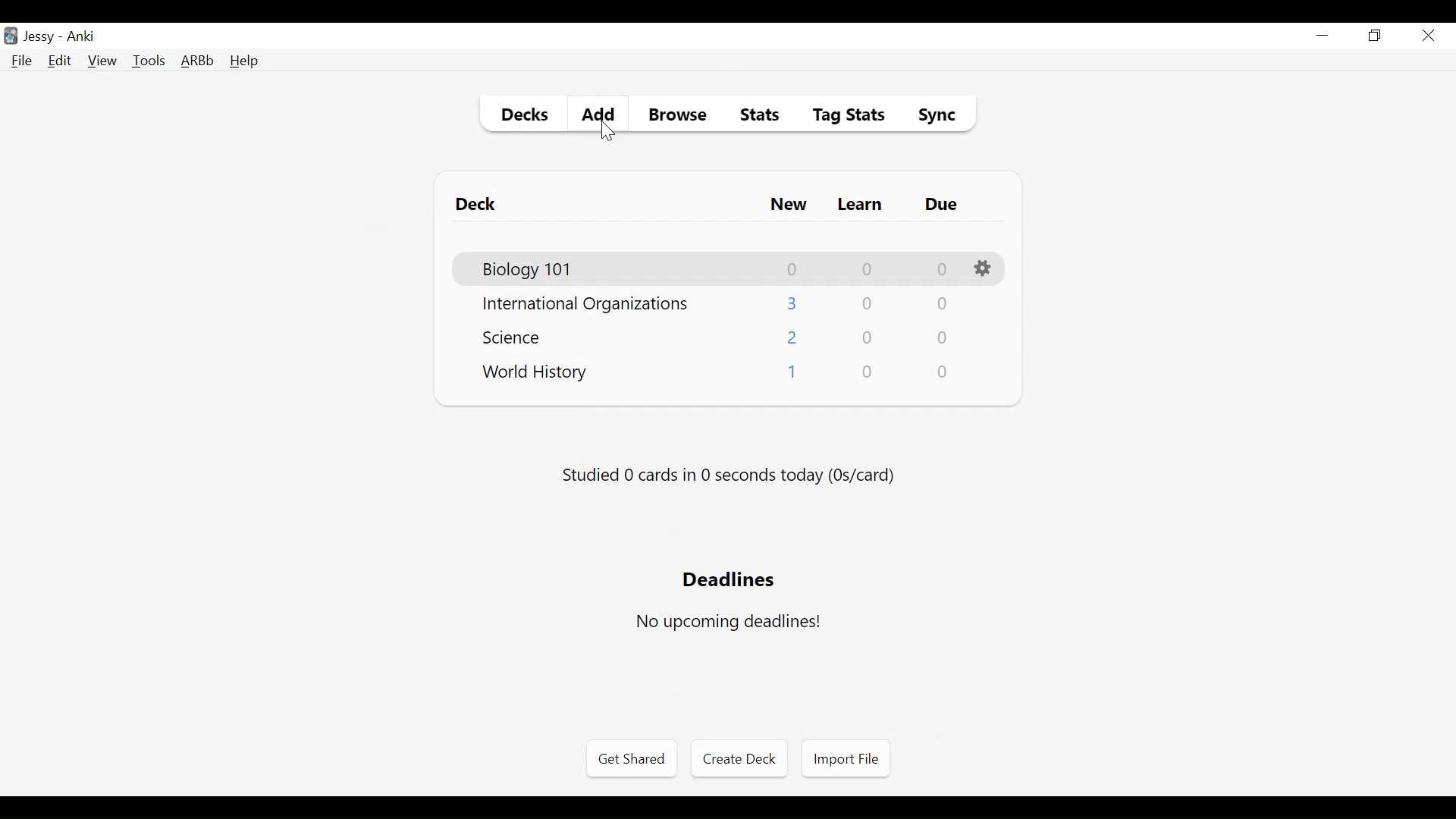 The width and height of the screenshot is (1456, 819). Describe the element at coordinates (727, 622) in the screenshot. I see `No upcoming deadlines` at that location.